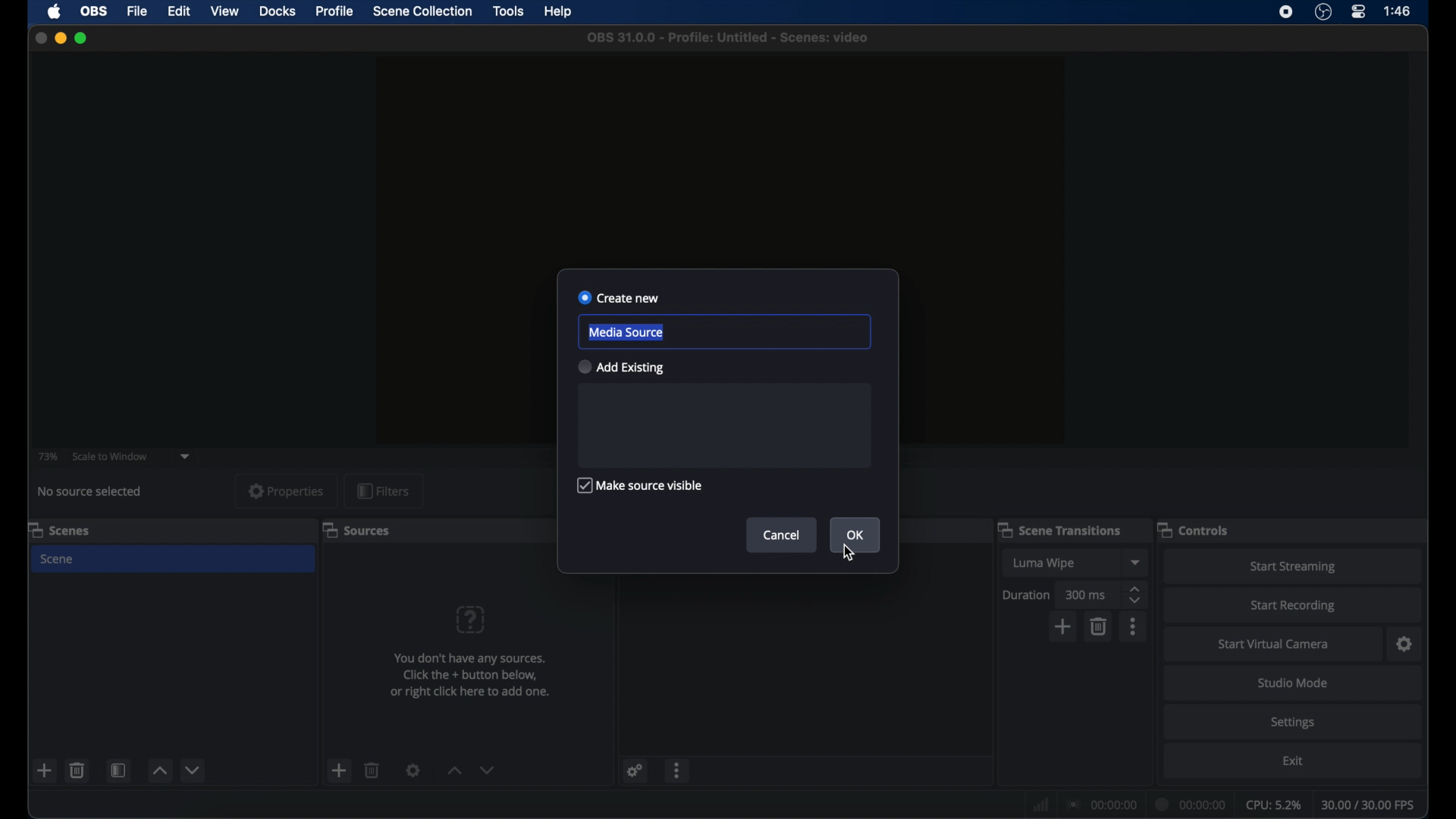 This screenshot has height=819, width=1456. What do you see at coordinates (1137, 562) in the screenshot?
I see `dropdown` at bounding box center [1137, 562].